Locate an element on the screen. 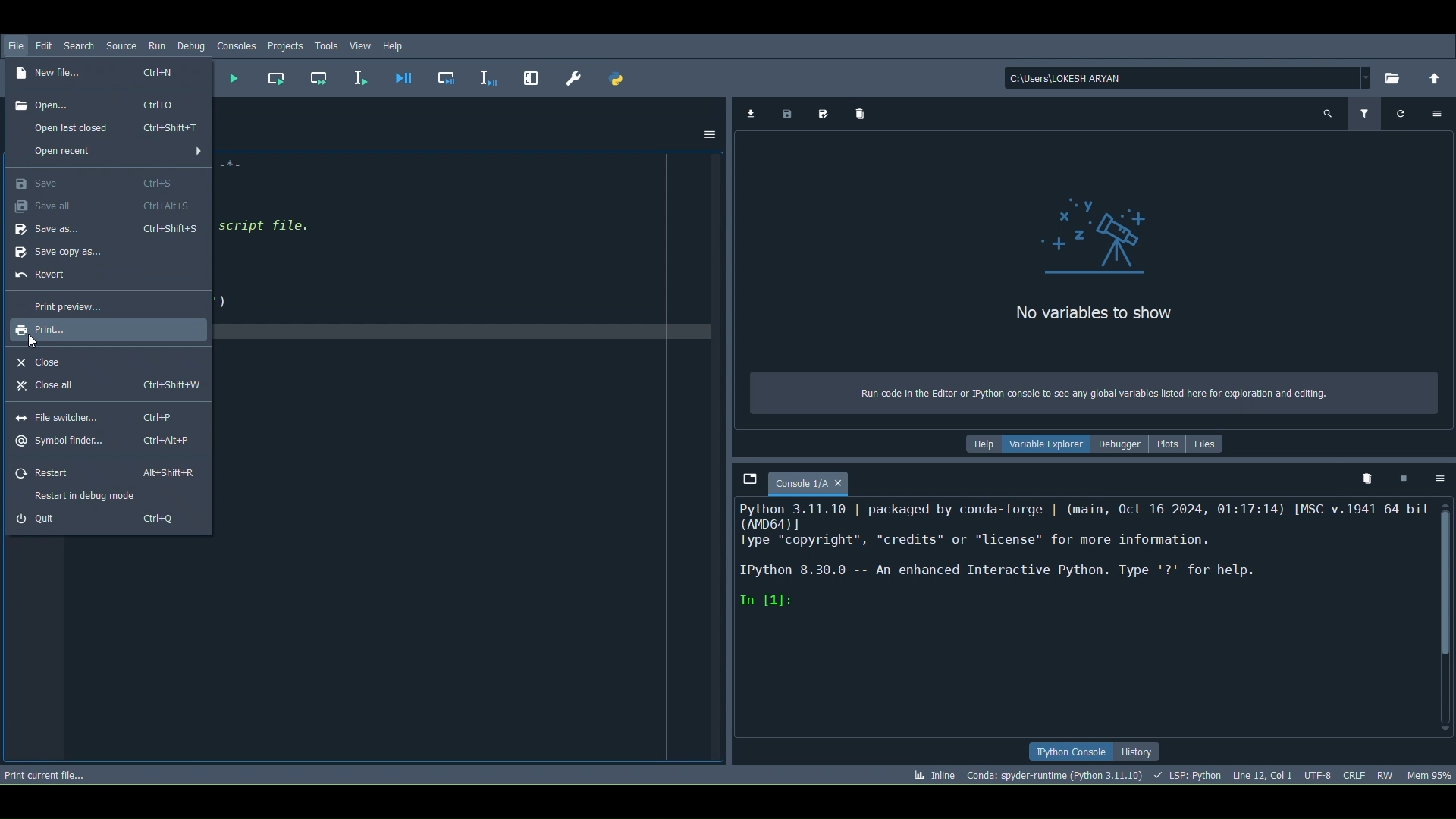  Help is located at coordinates (982, 445).